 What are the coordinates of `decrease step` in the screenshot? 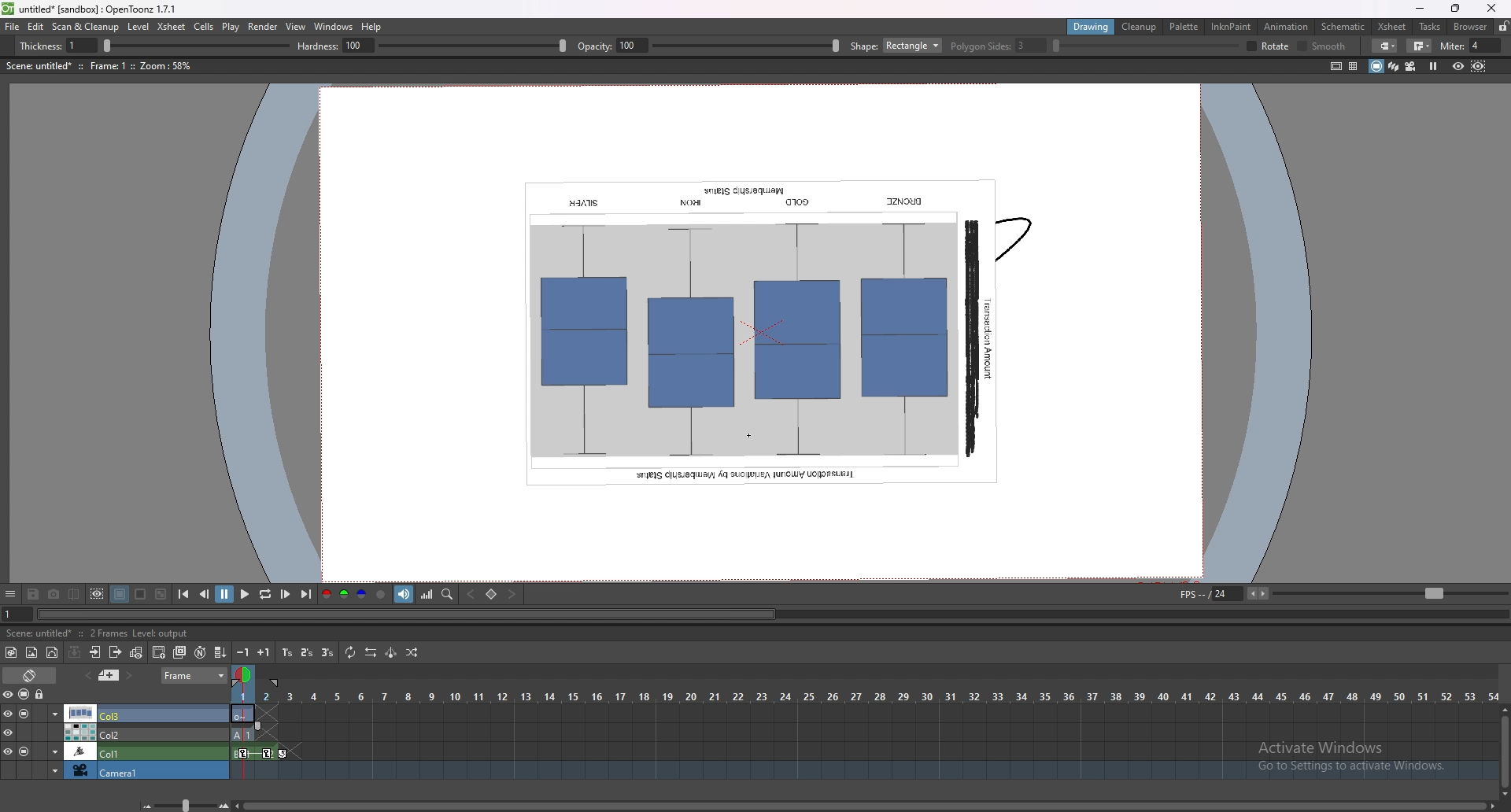 It's located at (243, 652).